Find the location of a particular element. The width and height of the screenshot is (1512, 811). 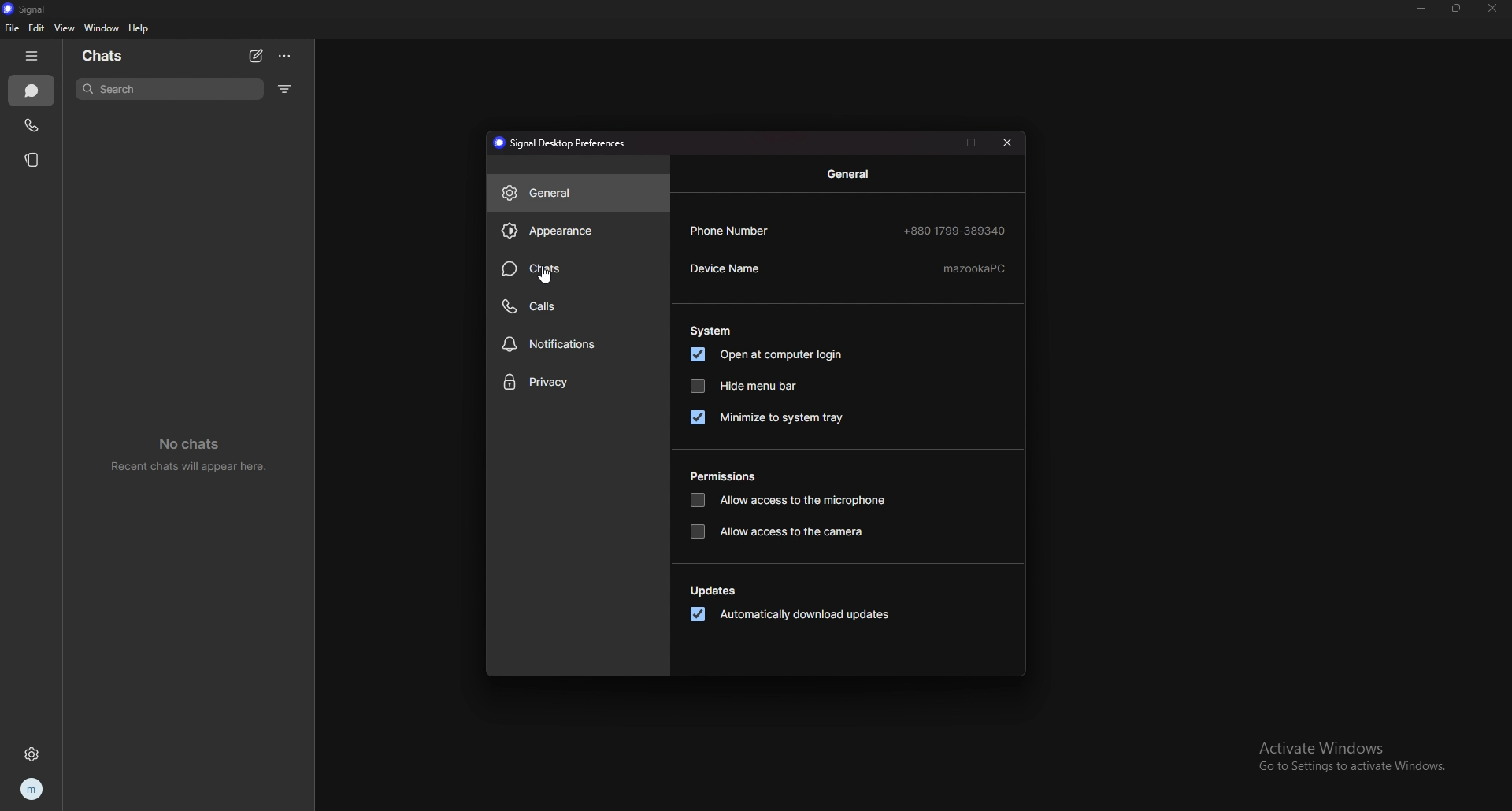

calls is located at coordinates (576, 306).